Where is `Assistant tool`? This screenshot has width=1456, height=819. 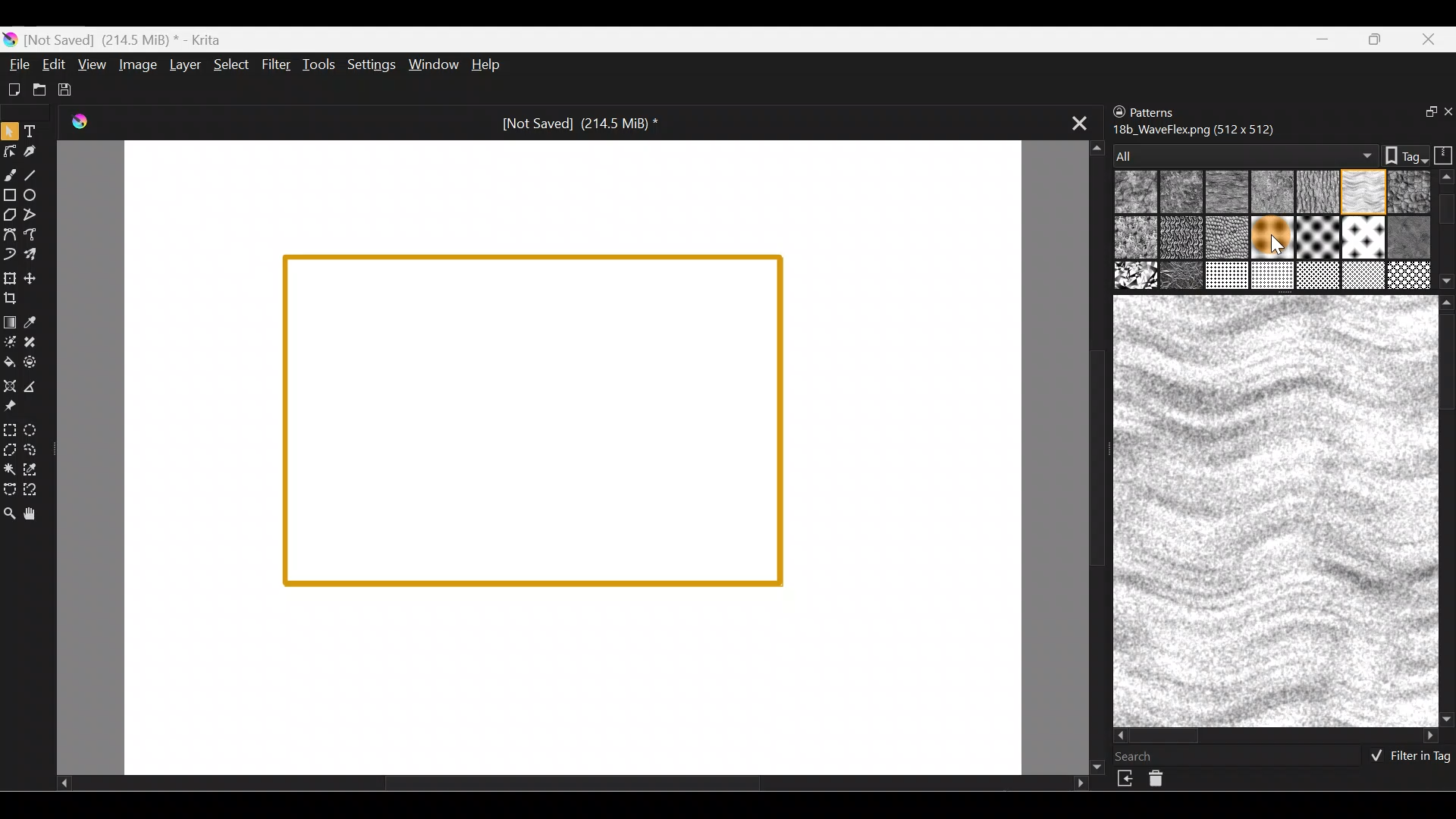 Assistant tool is located at coordinates (11, 384).